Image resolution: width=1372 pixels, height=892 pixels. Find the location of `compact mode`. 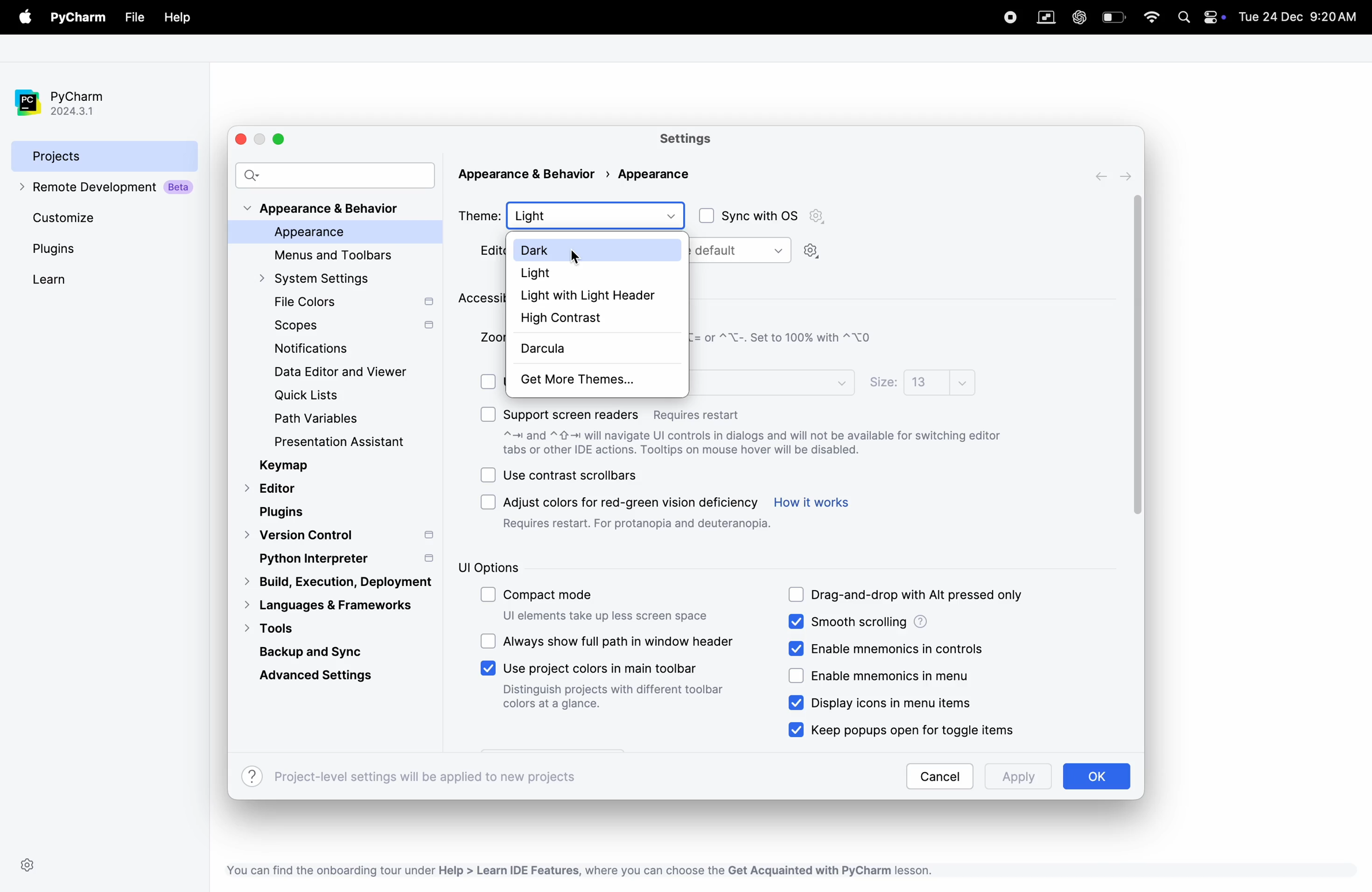

compact mode is located at coordinates (608, 607).